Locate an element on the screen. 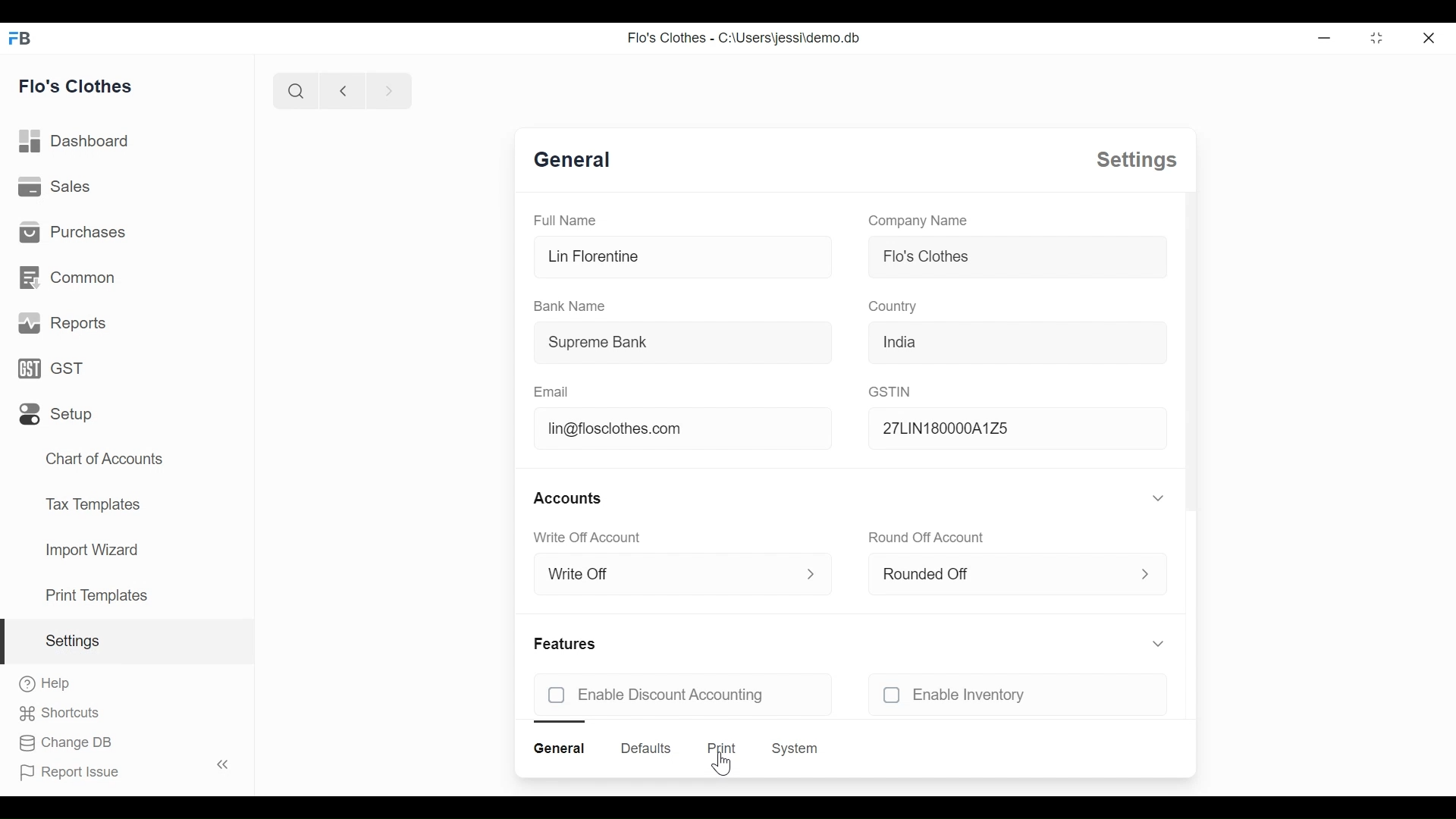  change DB is located at coordinates (64, 743).